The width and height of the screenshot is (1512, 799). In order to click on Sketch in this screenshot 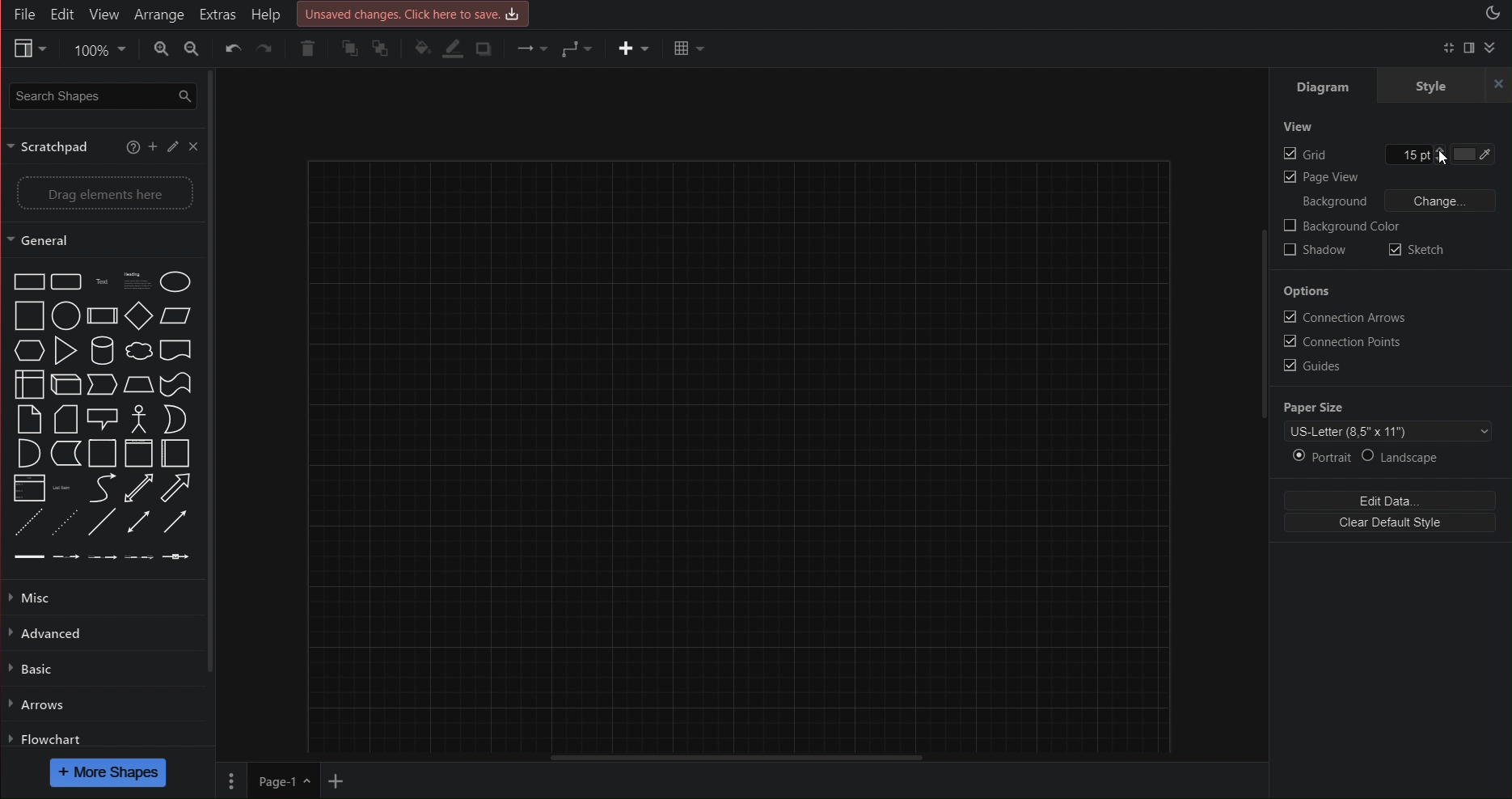, I will do `click(1416, 252)`.